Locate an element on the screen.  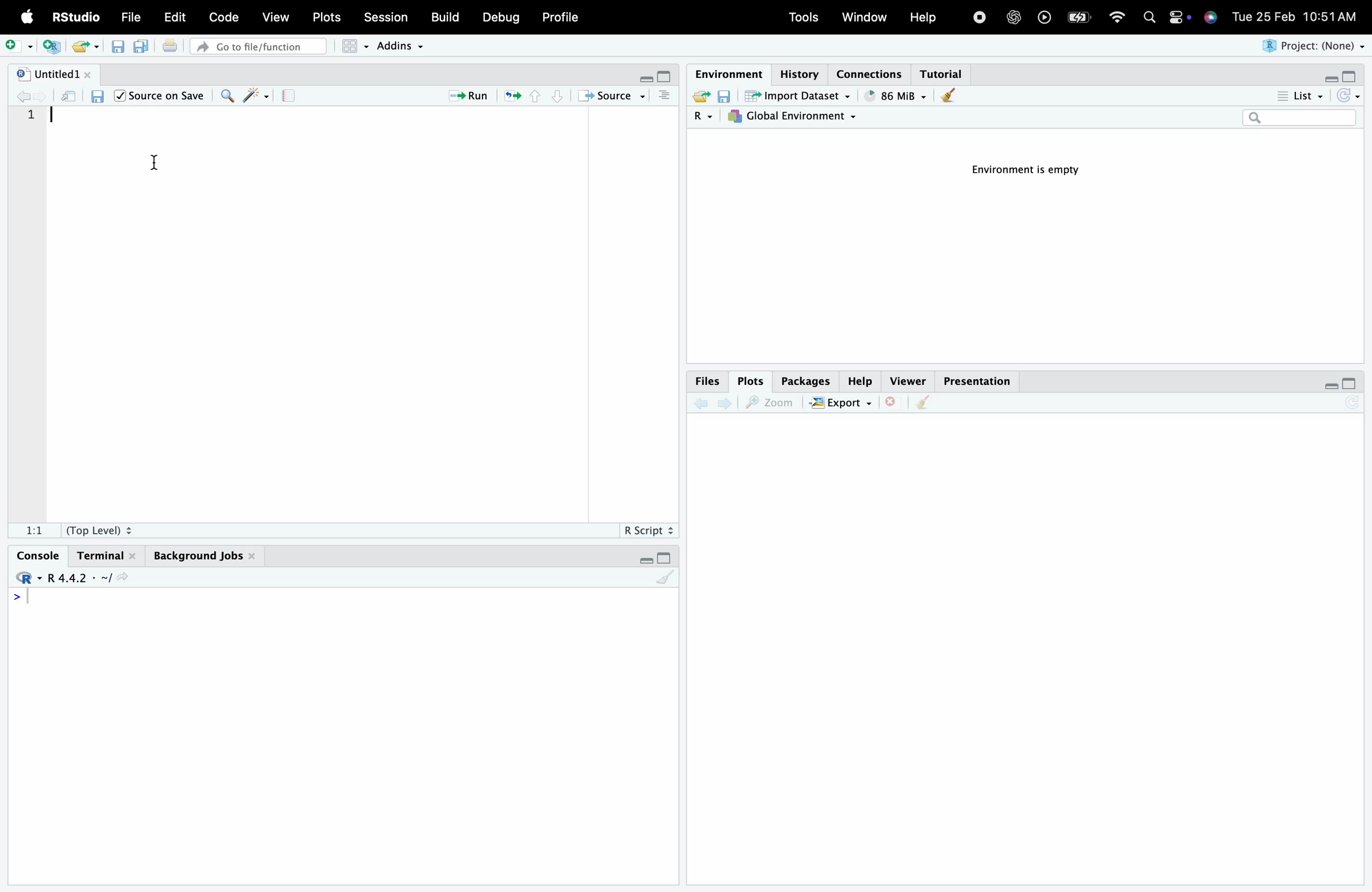
battery is located at coordinates (1083, 16).